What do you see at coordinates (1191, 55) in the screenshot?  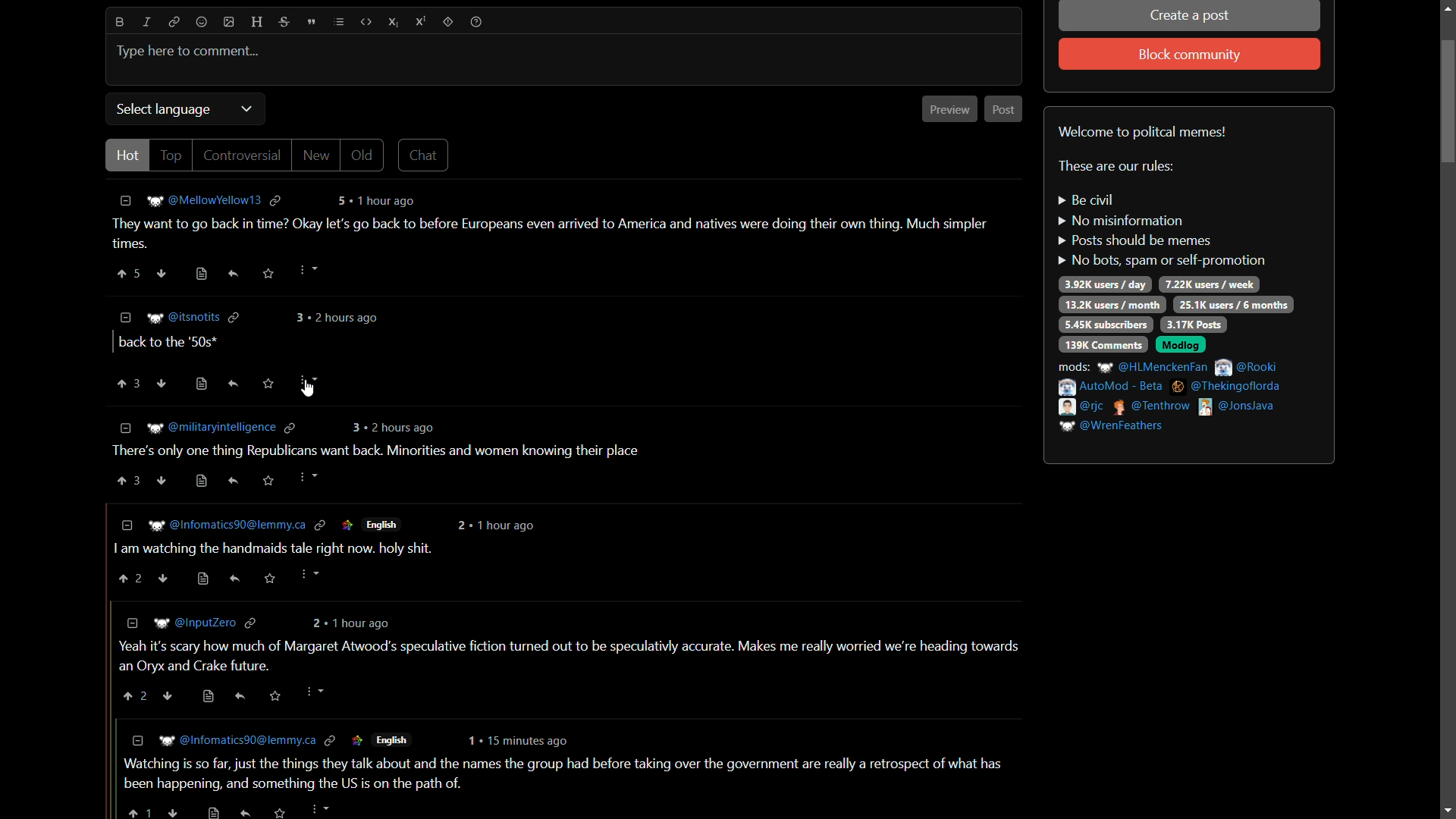 I see `block community` at bounding box center [1191, 55].